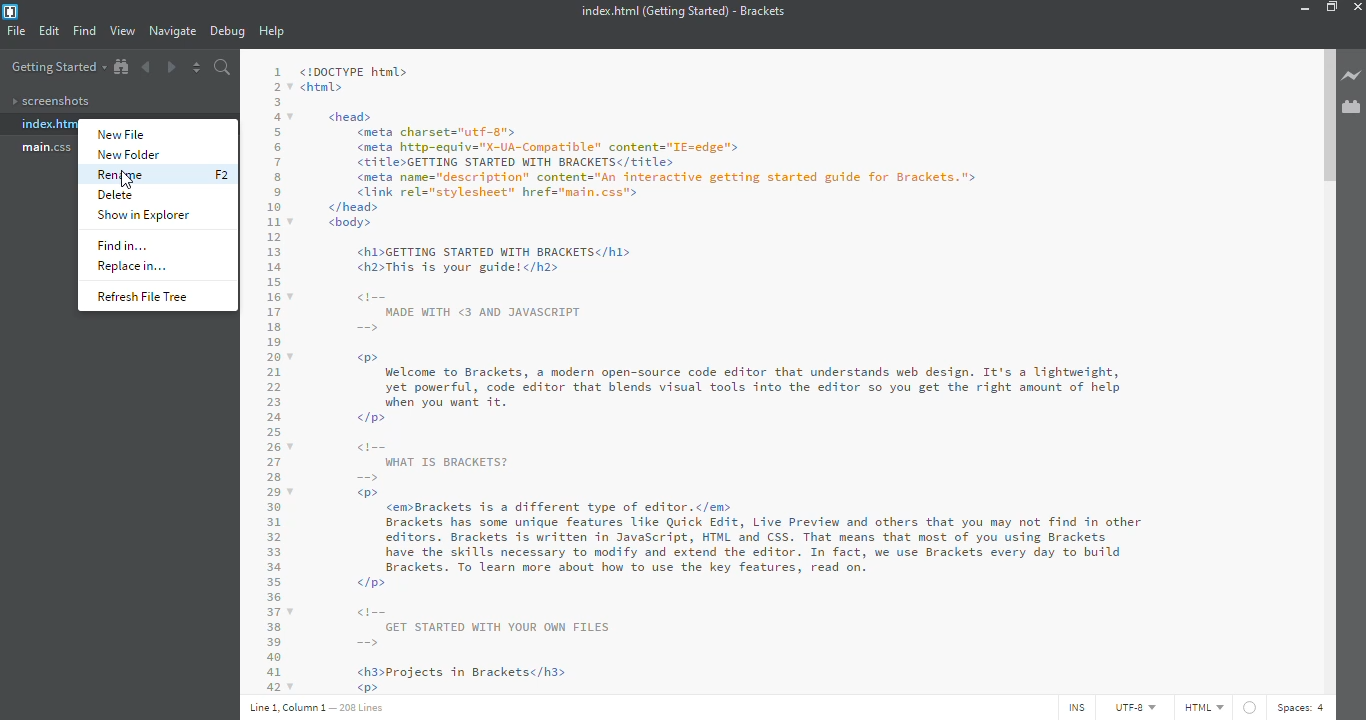  I want to click on split editor, so click(197, 67).